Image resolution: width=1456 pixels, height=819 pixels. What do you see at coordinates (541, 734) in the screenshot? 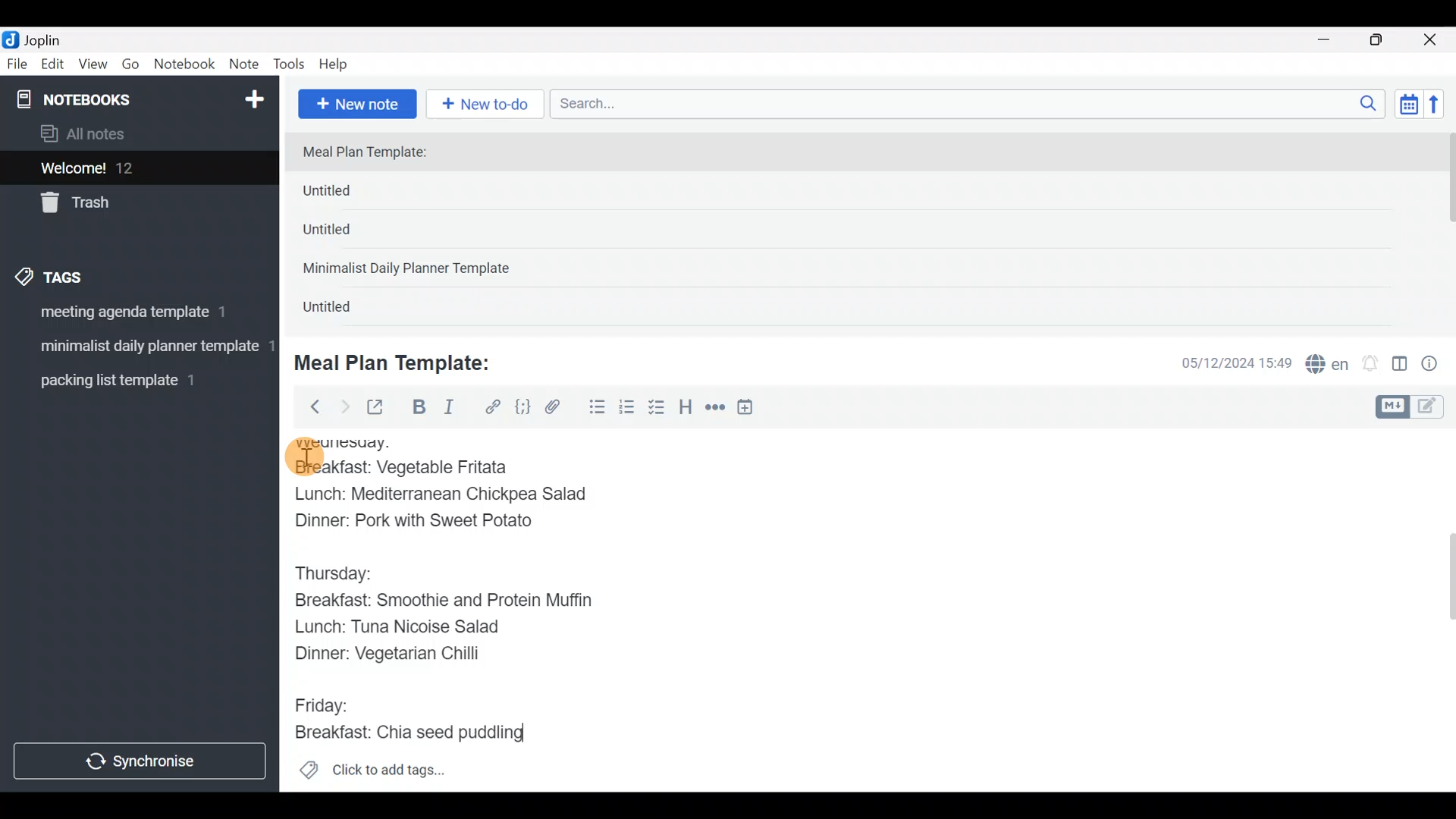
I see `text Cursor` at bounding box center [541, 734].